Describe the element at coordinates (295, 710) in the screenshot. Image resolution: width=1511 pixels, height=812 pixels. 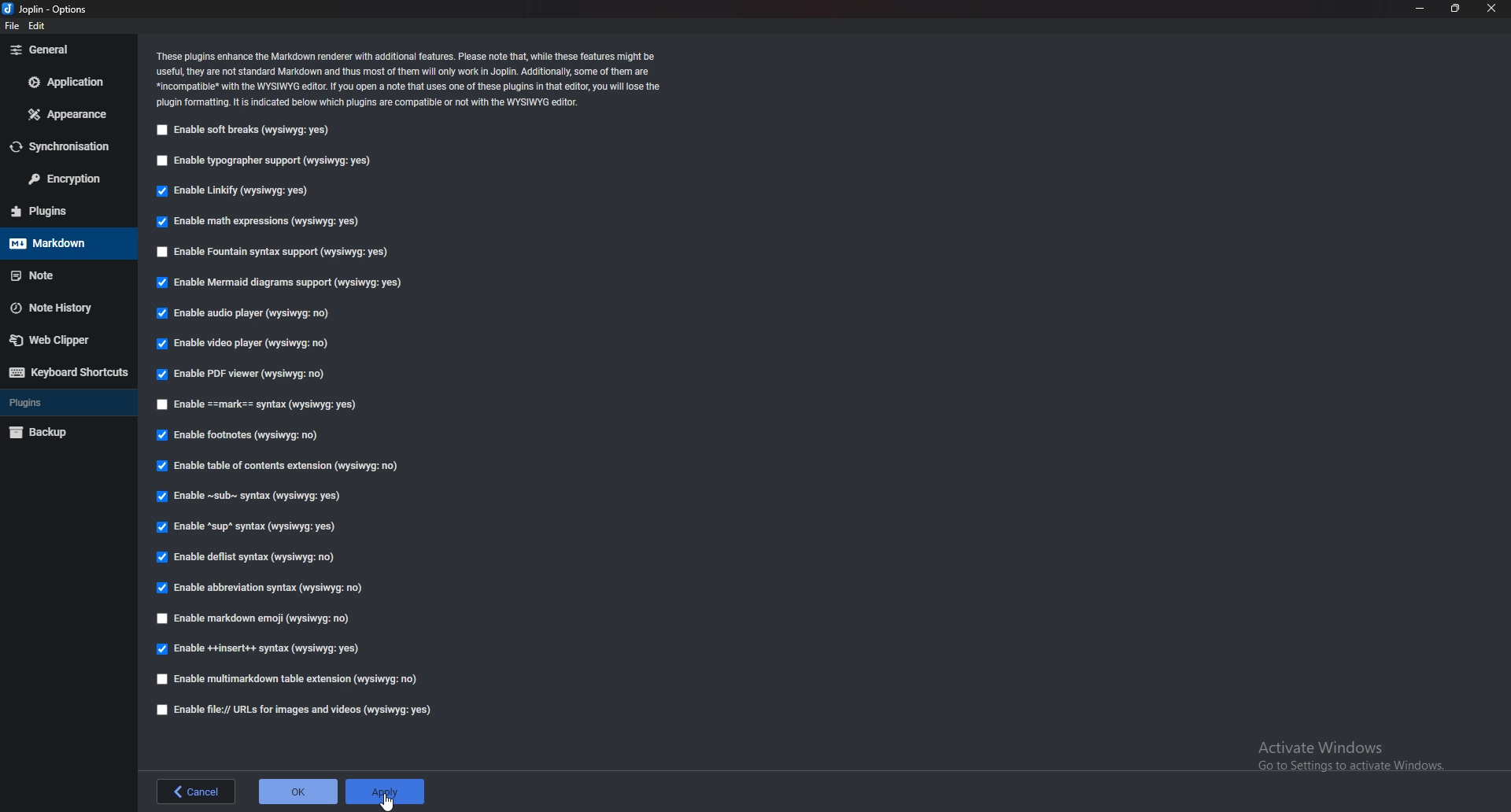
I see `enable file urls for images and videos` at that location.